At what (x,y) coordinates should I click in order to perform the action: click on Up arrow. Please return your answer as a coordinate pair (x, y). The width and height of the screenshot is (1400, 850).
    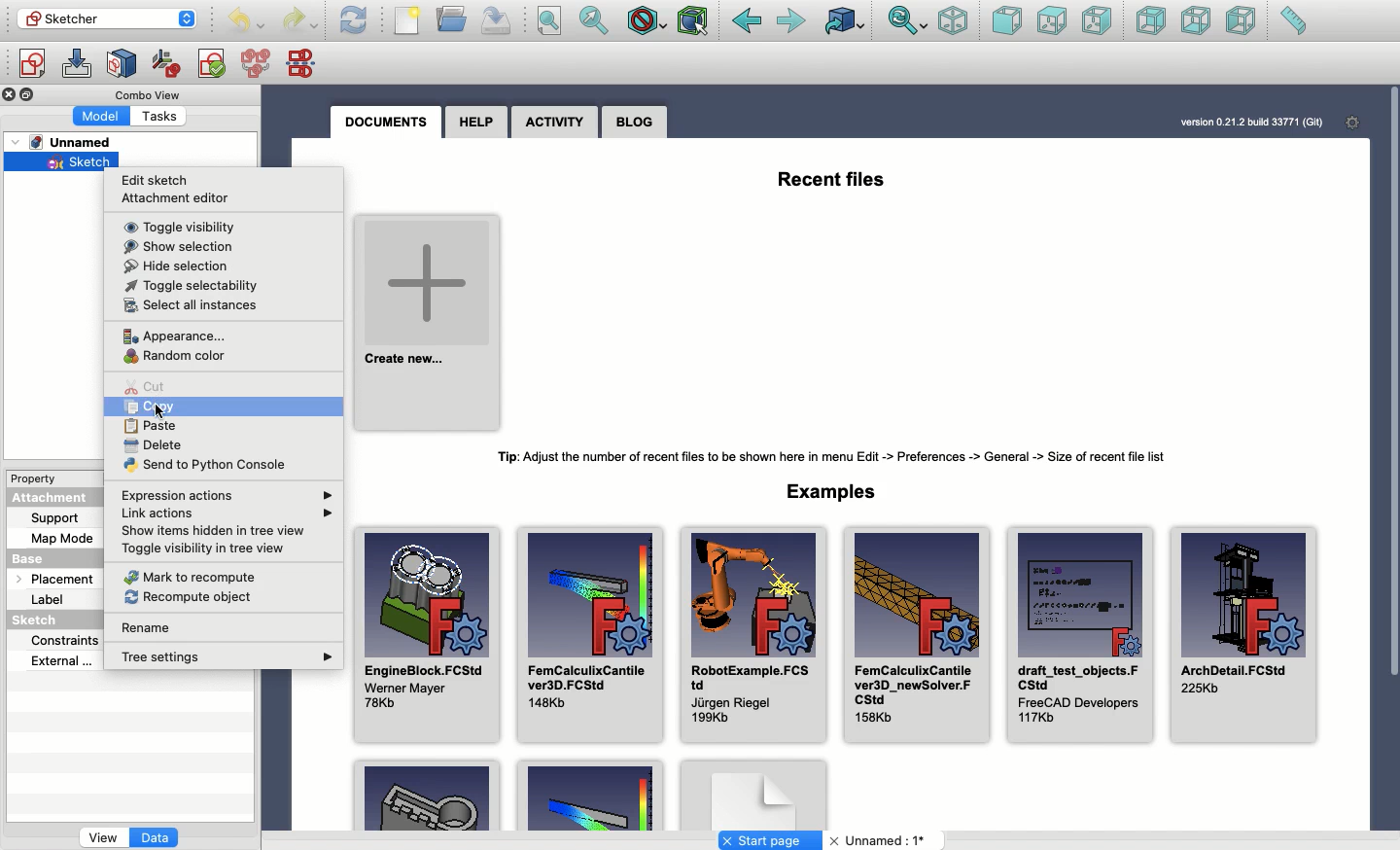
    Looking at the image, I should click on (191, 15).